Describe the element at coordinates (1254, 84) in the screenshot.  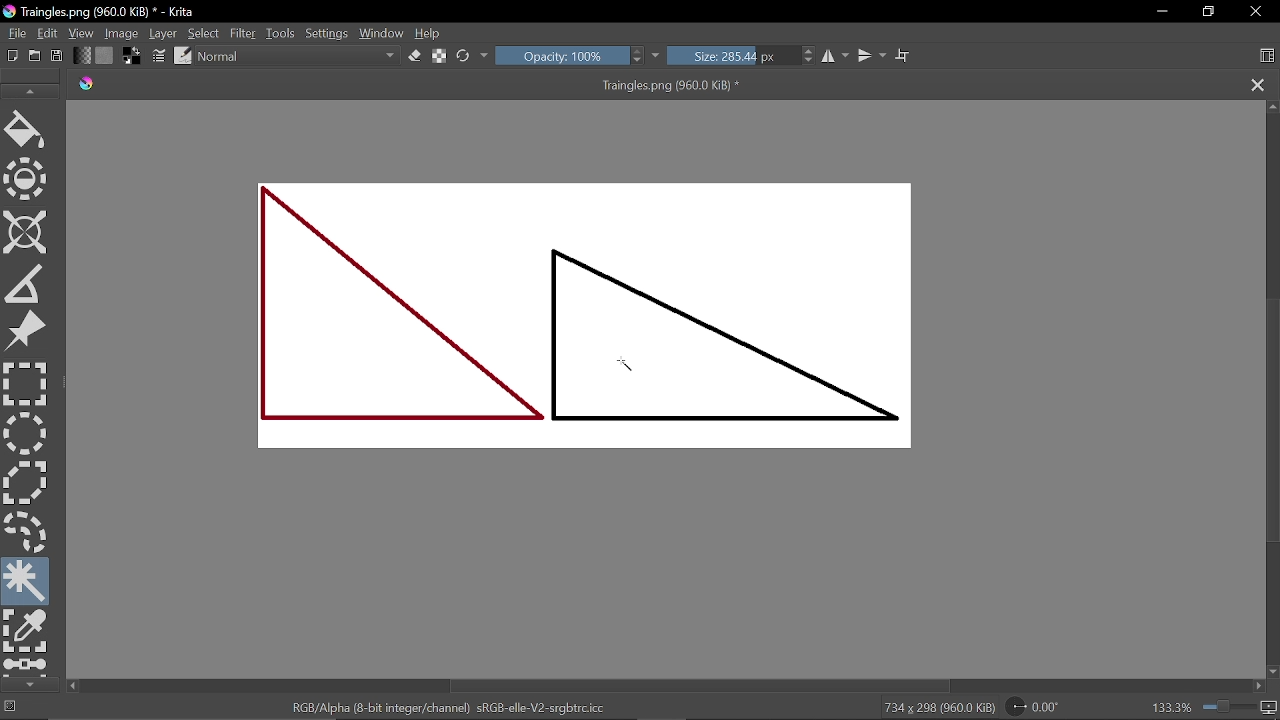
I see `Close tab` at that location.